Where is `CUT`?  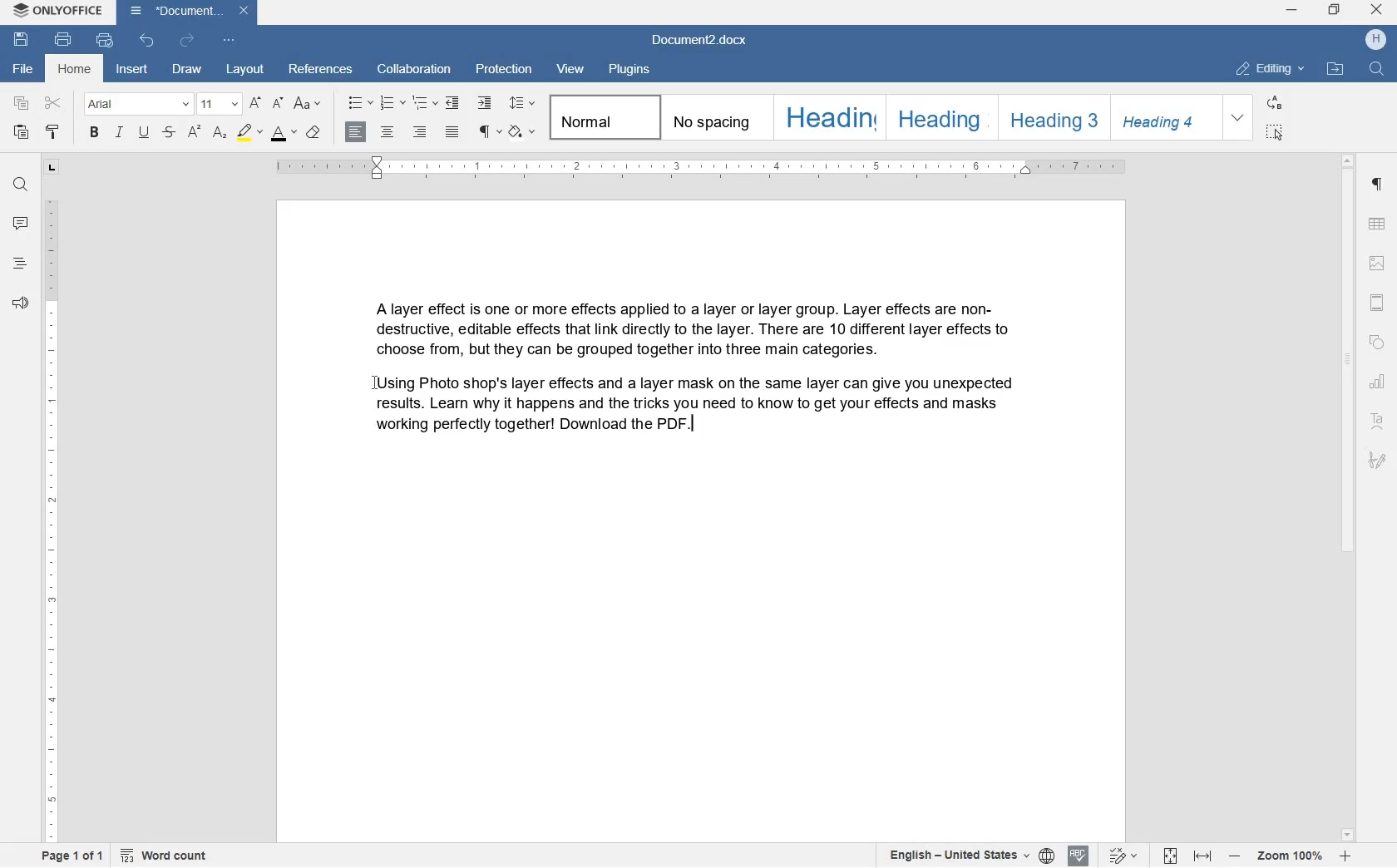
CUT is located at coordinates (54, 103).